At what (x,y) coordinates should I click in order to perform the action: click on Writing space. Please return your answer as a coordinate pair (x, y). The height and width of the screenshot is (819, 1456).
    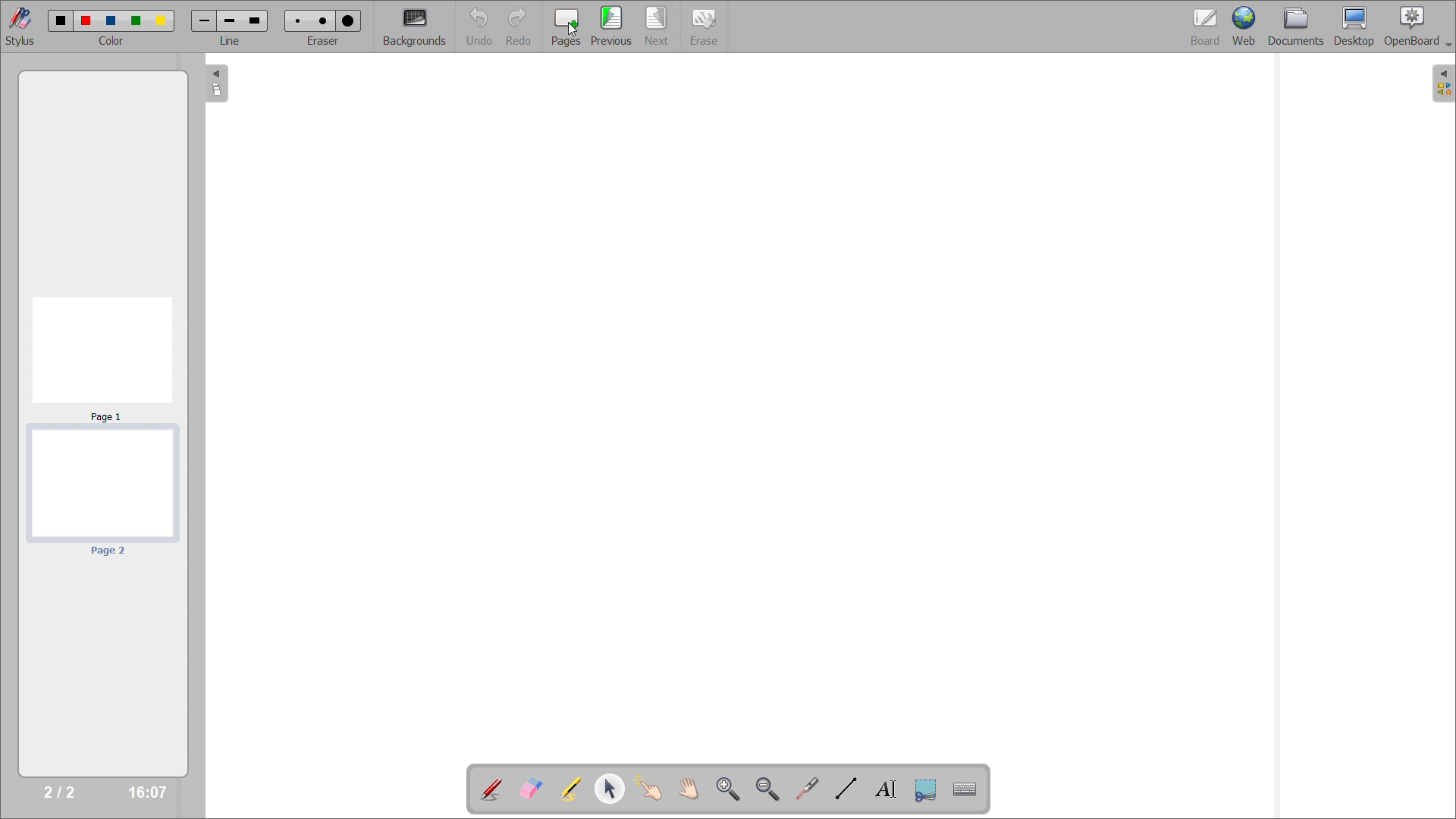
    Looking at the image, I should click on (745, 396).